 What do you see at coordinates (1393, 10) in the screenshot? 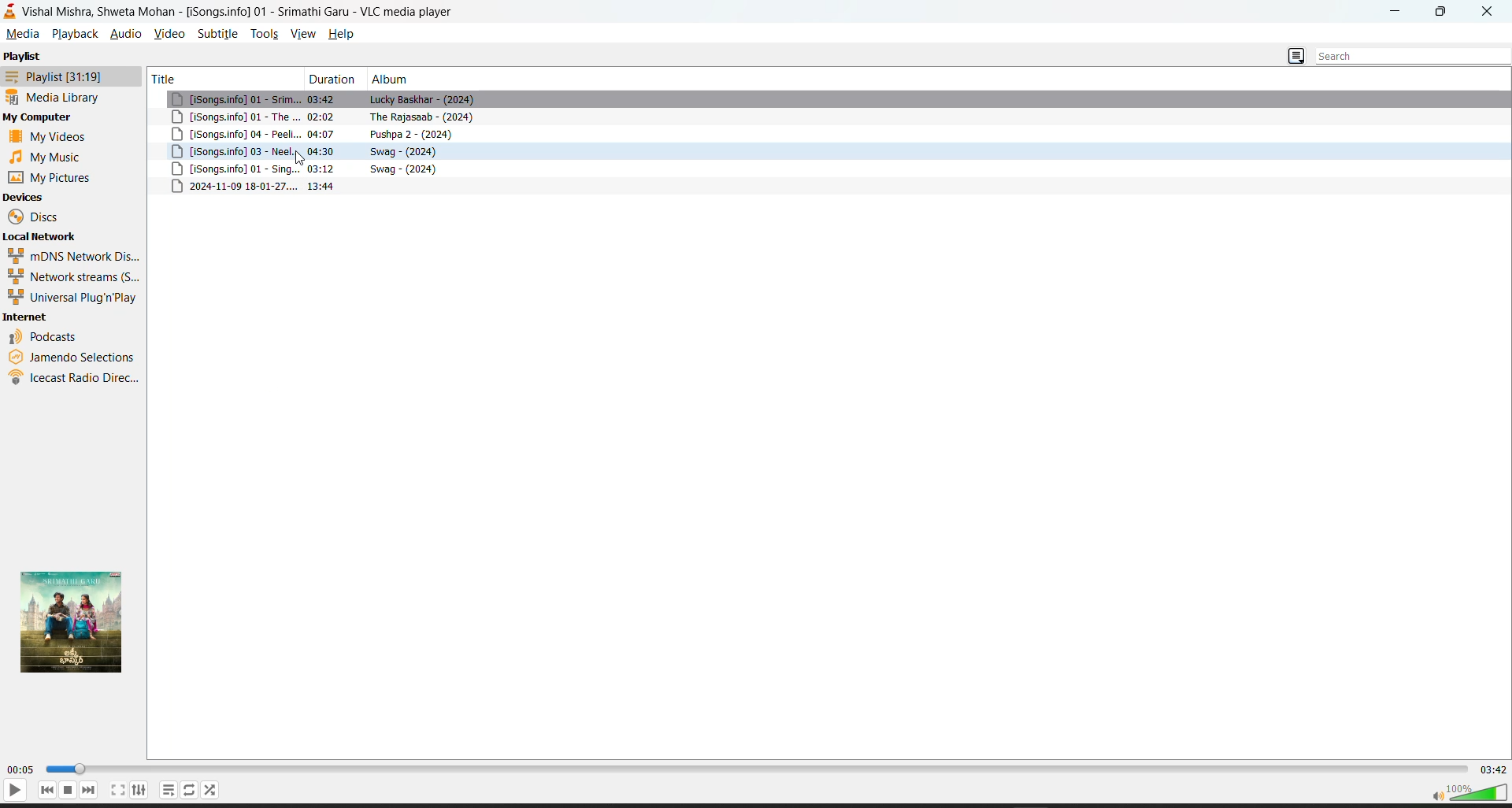
I see `minimize` at bounding box center [1393, 10].